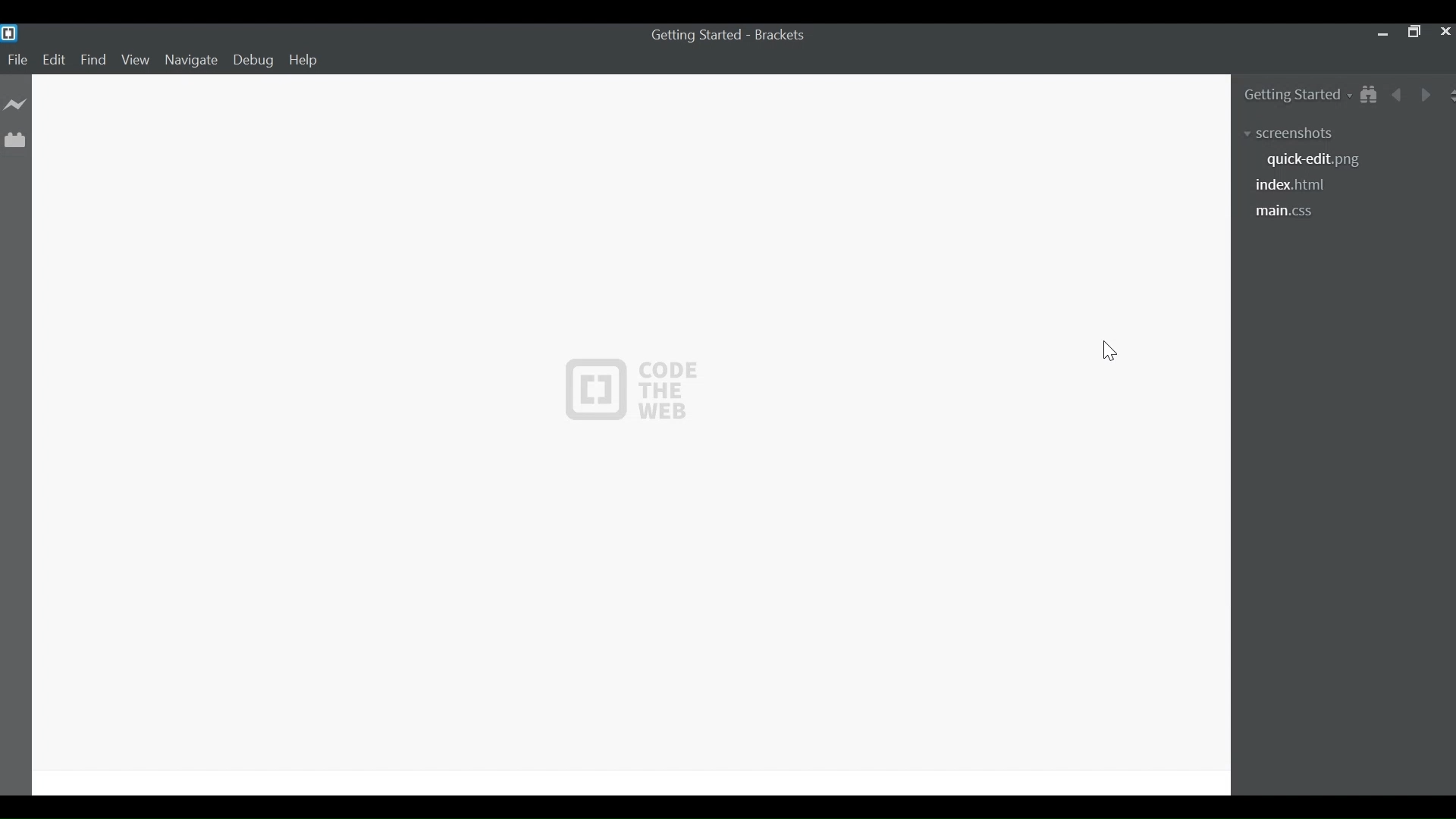 The image size is (1456, 819). I want to click on Help, so click(304, 61).